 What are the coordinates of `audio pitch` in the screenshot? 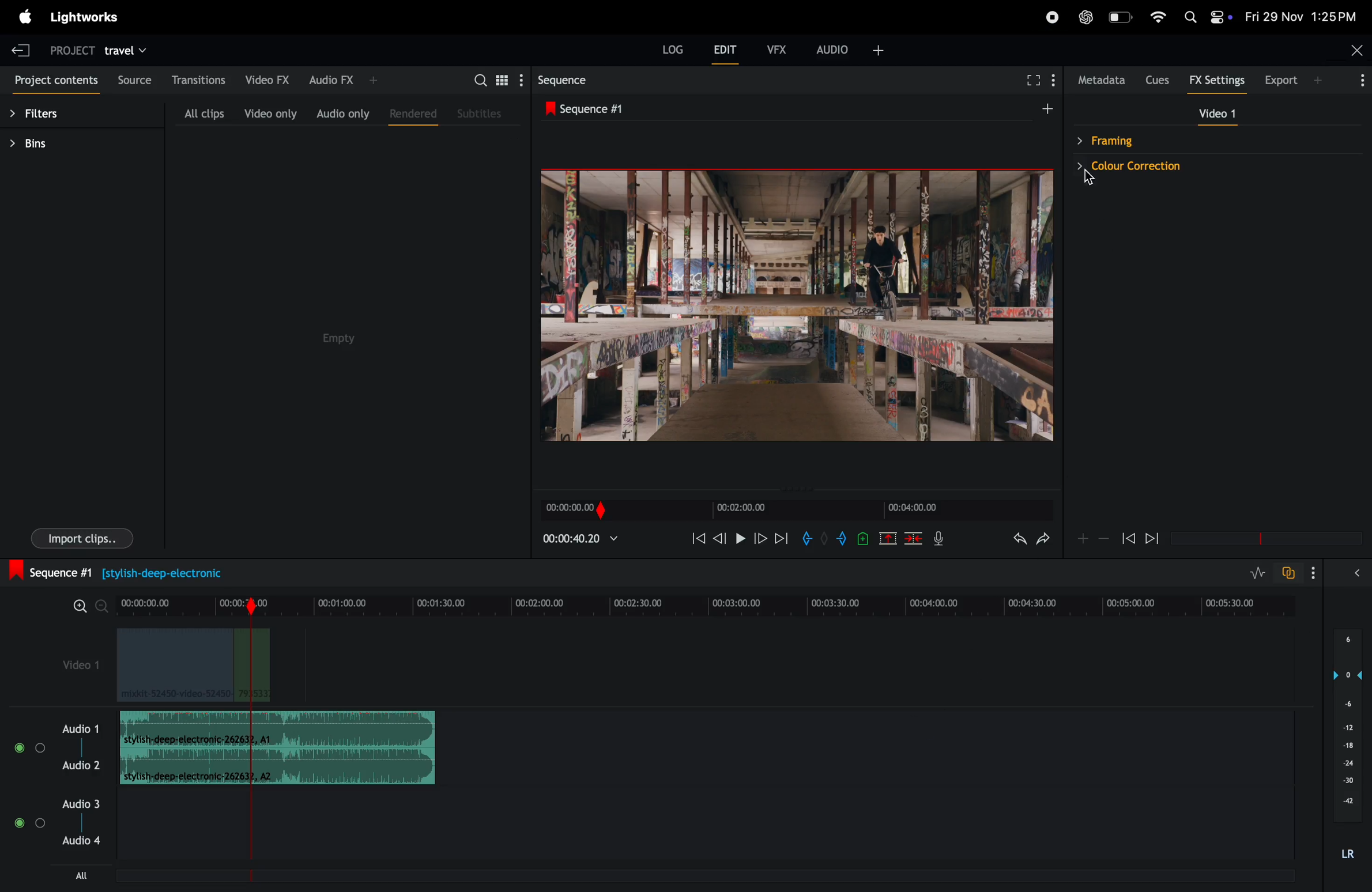 It's located at (1345, 746).